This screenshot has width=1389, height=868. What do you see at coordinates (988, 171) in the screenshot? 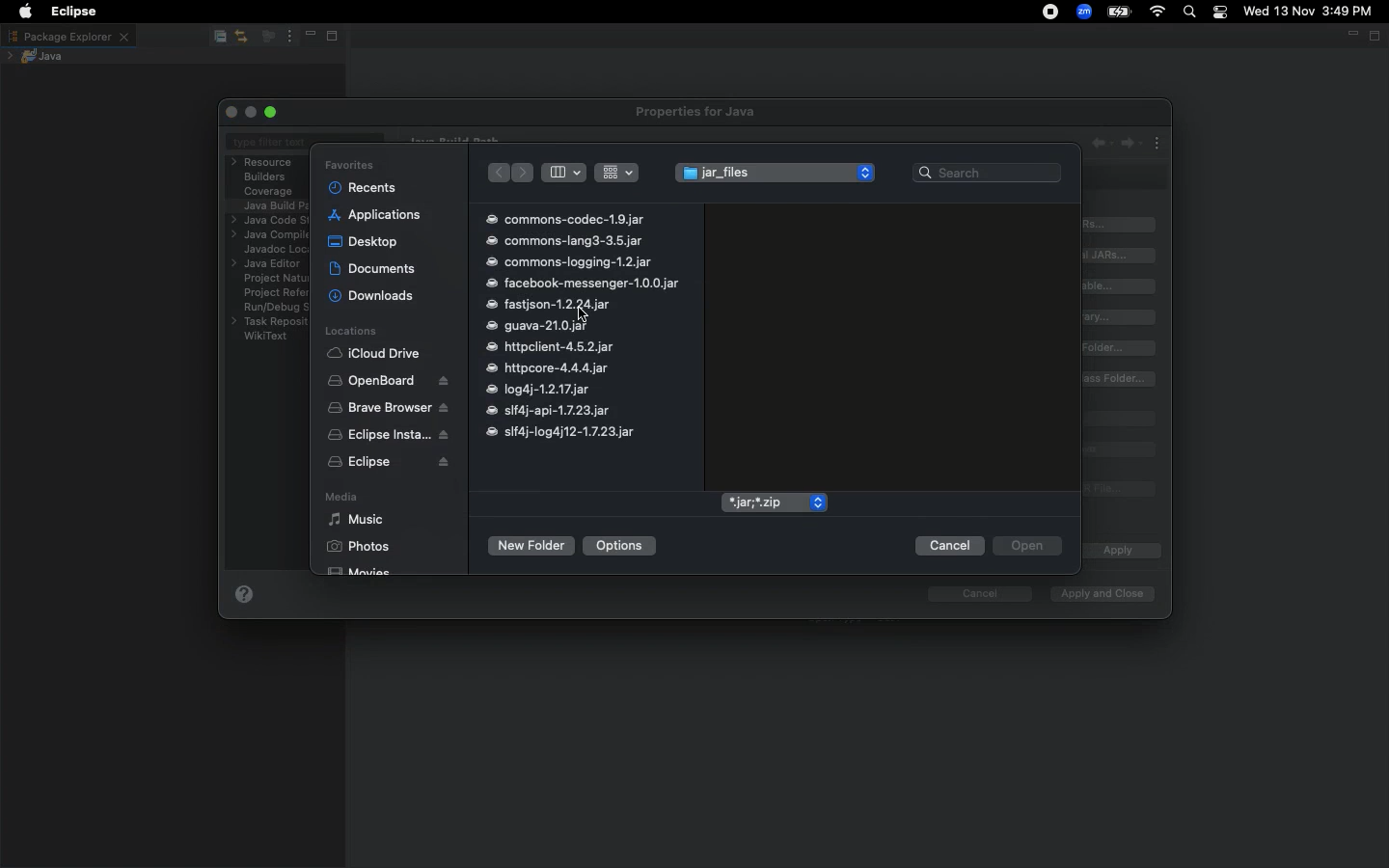
I see `Search` at bounding box center [988, 171].